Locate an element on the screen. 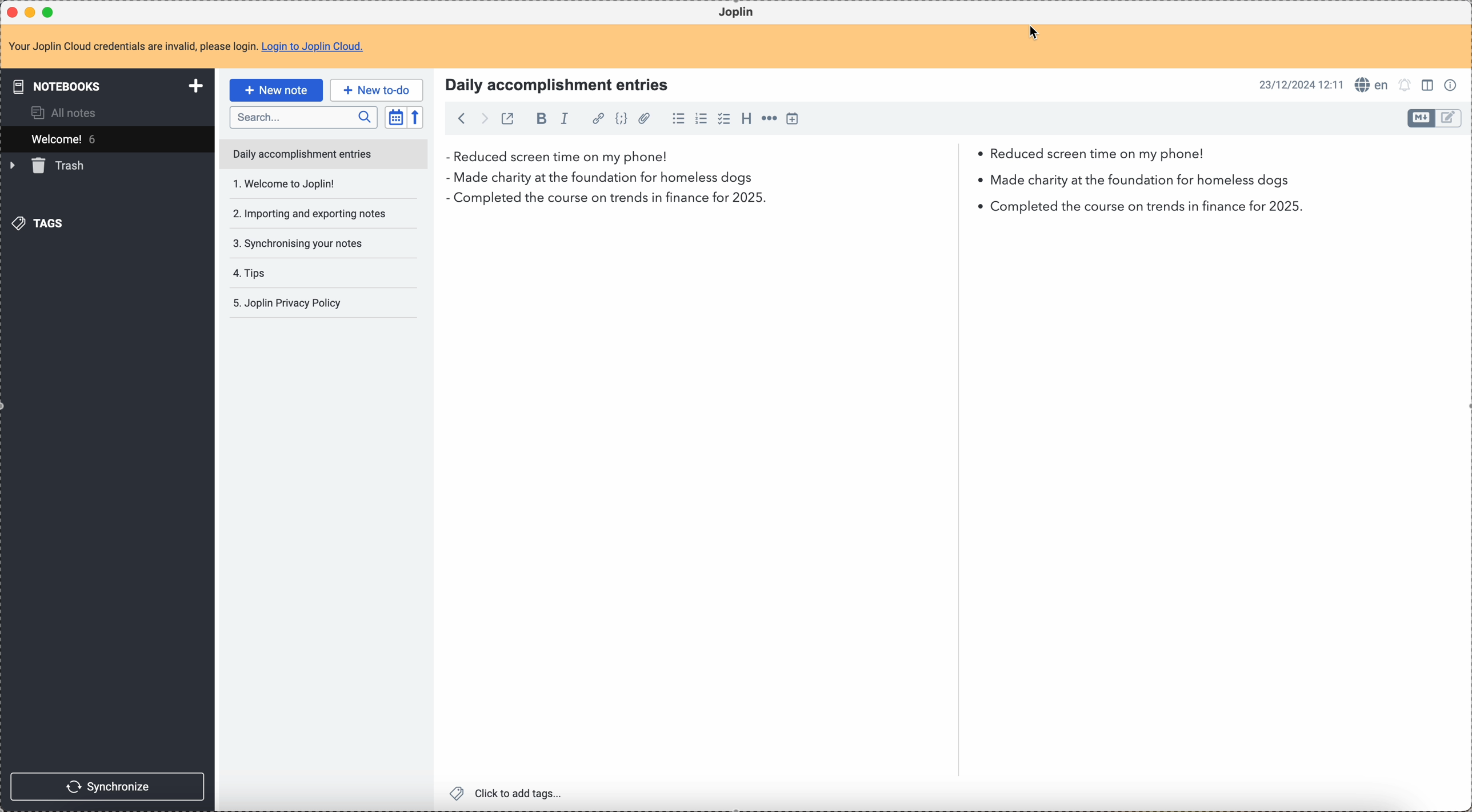  tips is located at coordinates (309, 245).